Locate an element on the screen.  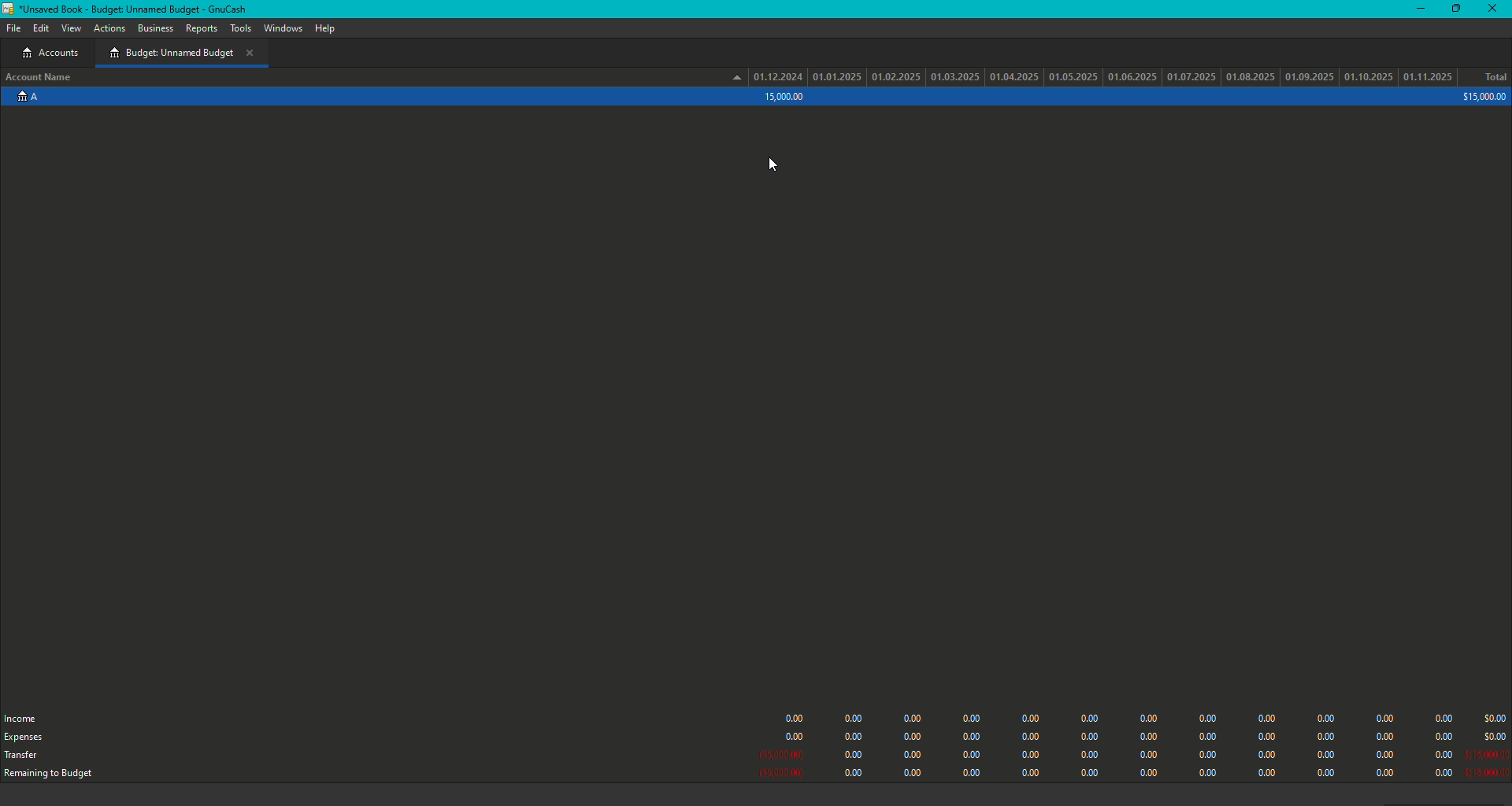
$0 is located at coordinates (1483, 98).